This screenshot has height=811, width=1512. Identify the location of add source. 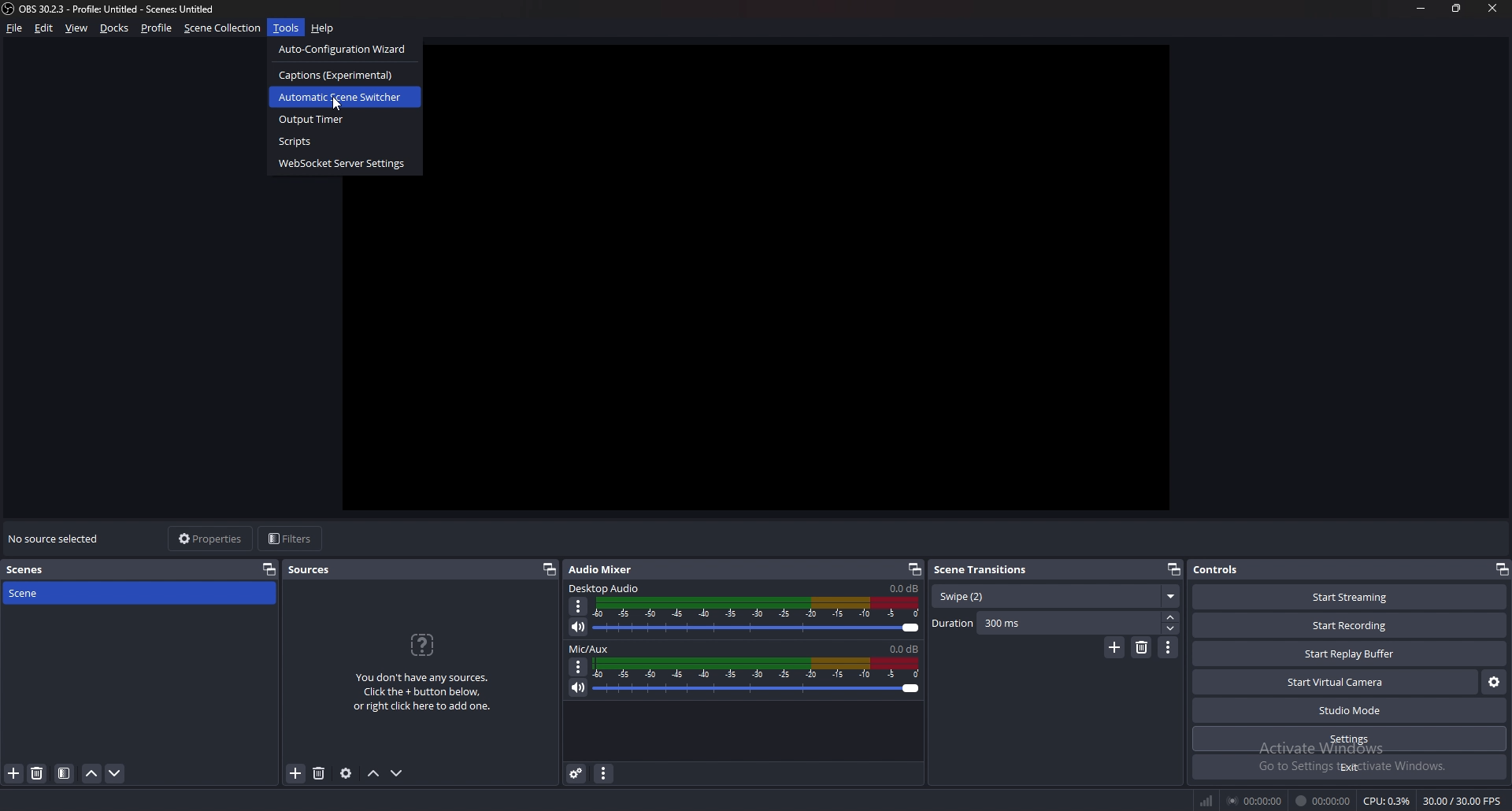
(296, 774).